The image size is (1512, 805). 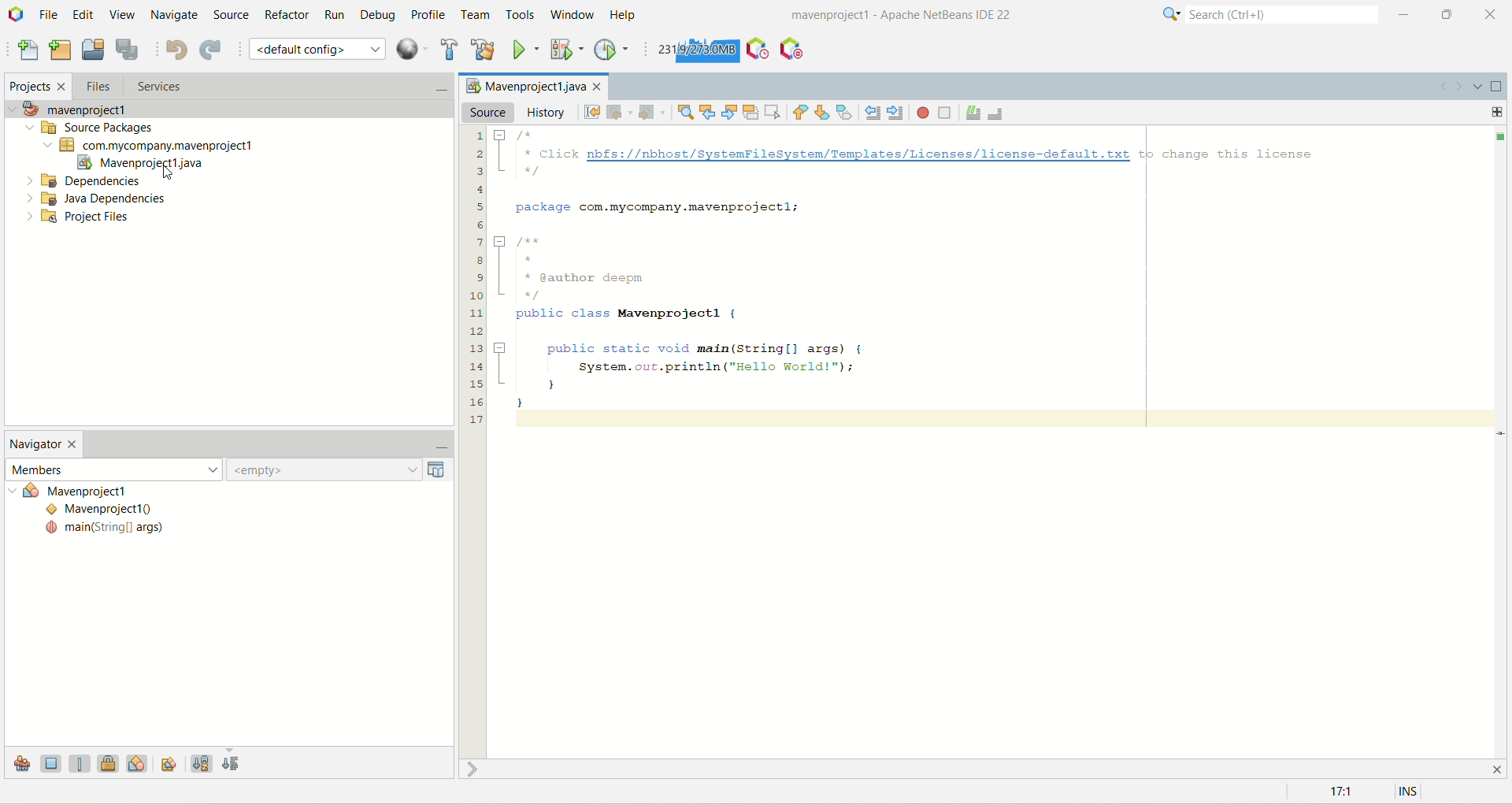 What do you see at coordinates (93, 50) in the screenshot?
I see `open project` at bounding box center [93, 50].